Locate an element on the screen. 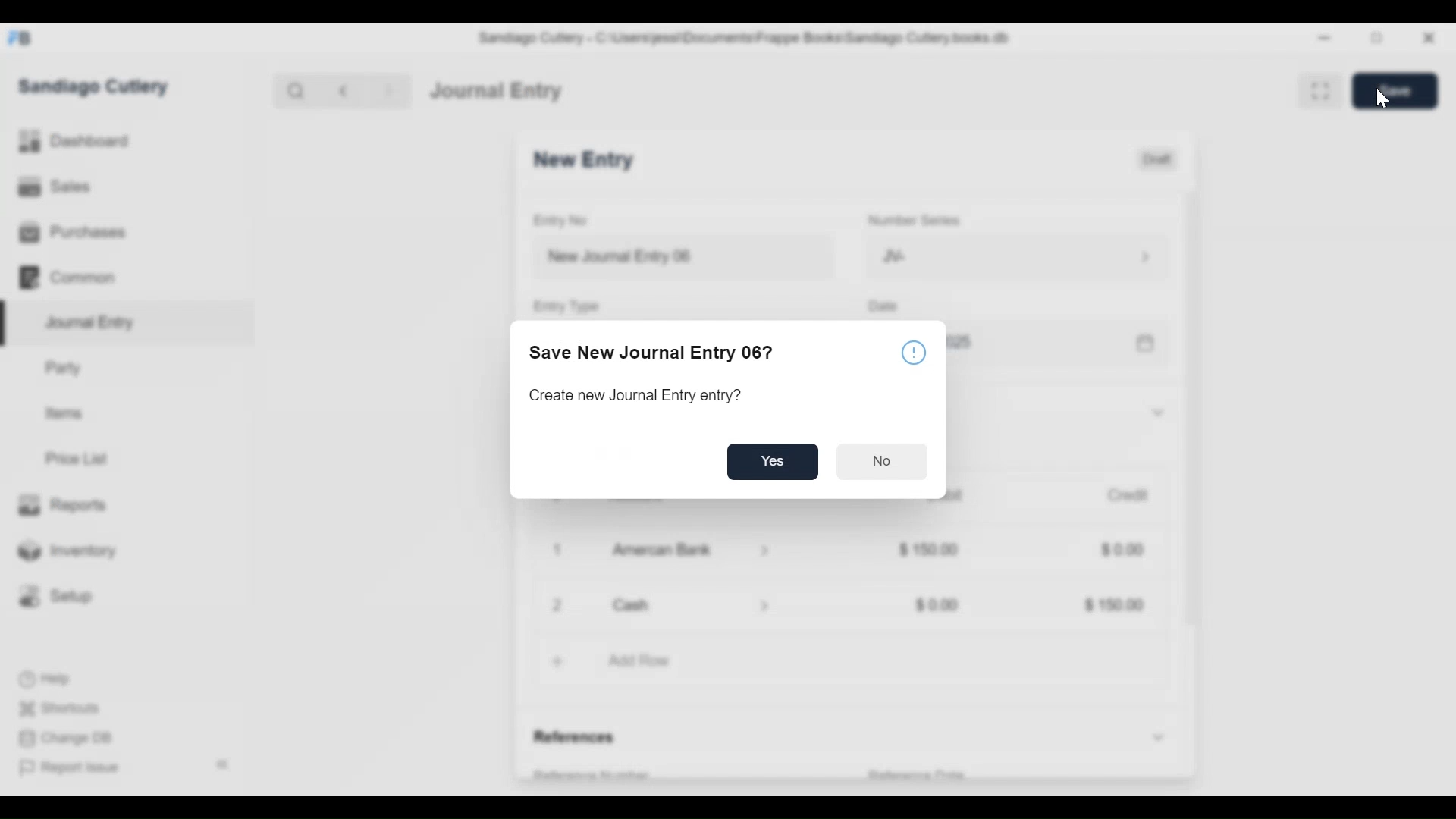 The height and width of the screenshot is (819, 1456). No is located at coordinates (880, 462).